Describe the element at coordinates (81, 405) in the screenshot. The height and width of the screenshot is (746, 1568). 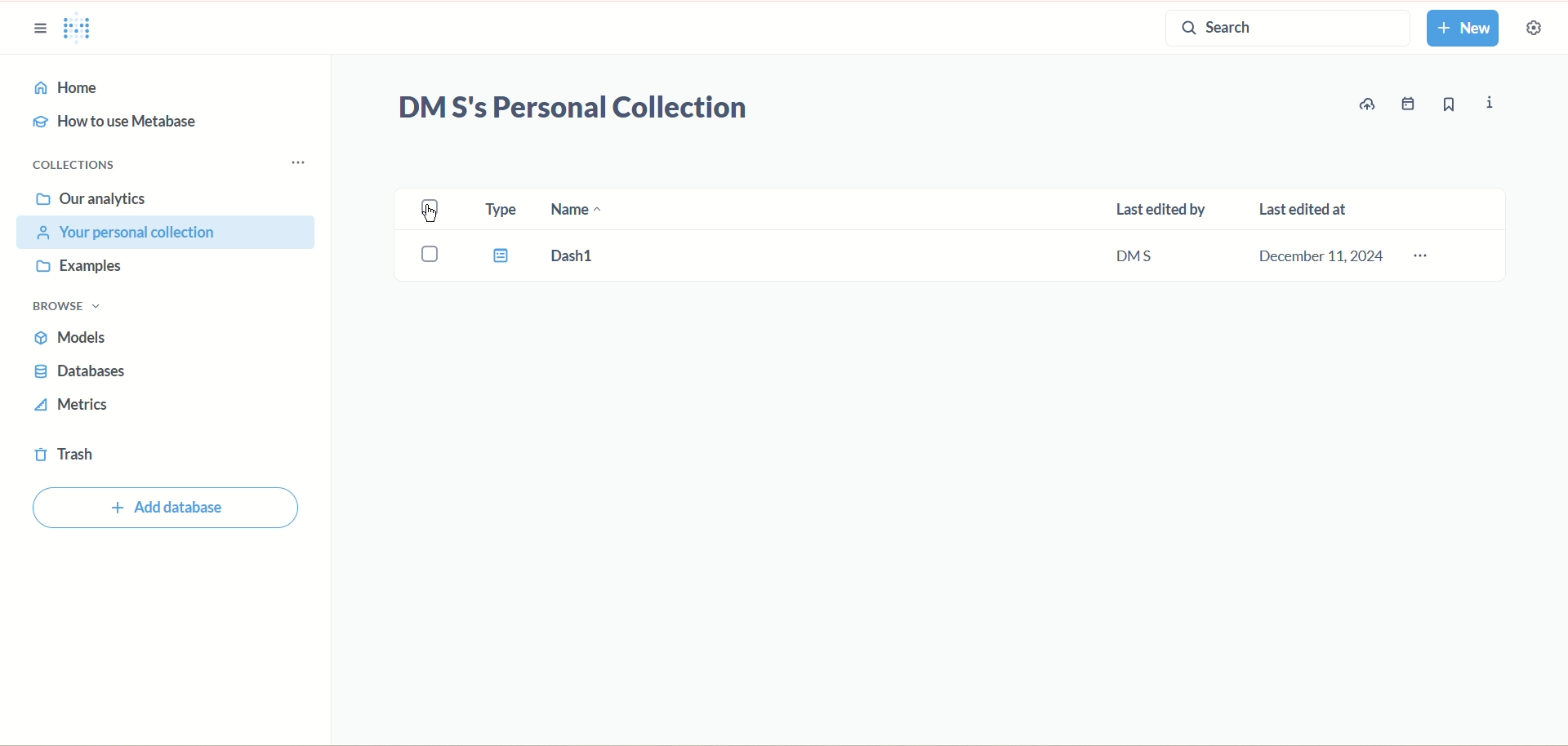
I see `metrics` at that location.